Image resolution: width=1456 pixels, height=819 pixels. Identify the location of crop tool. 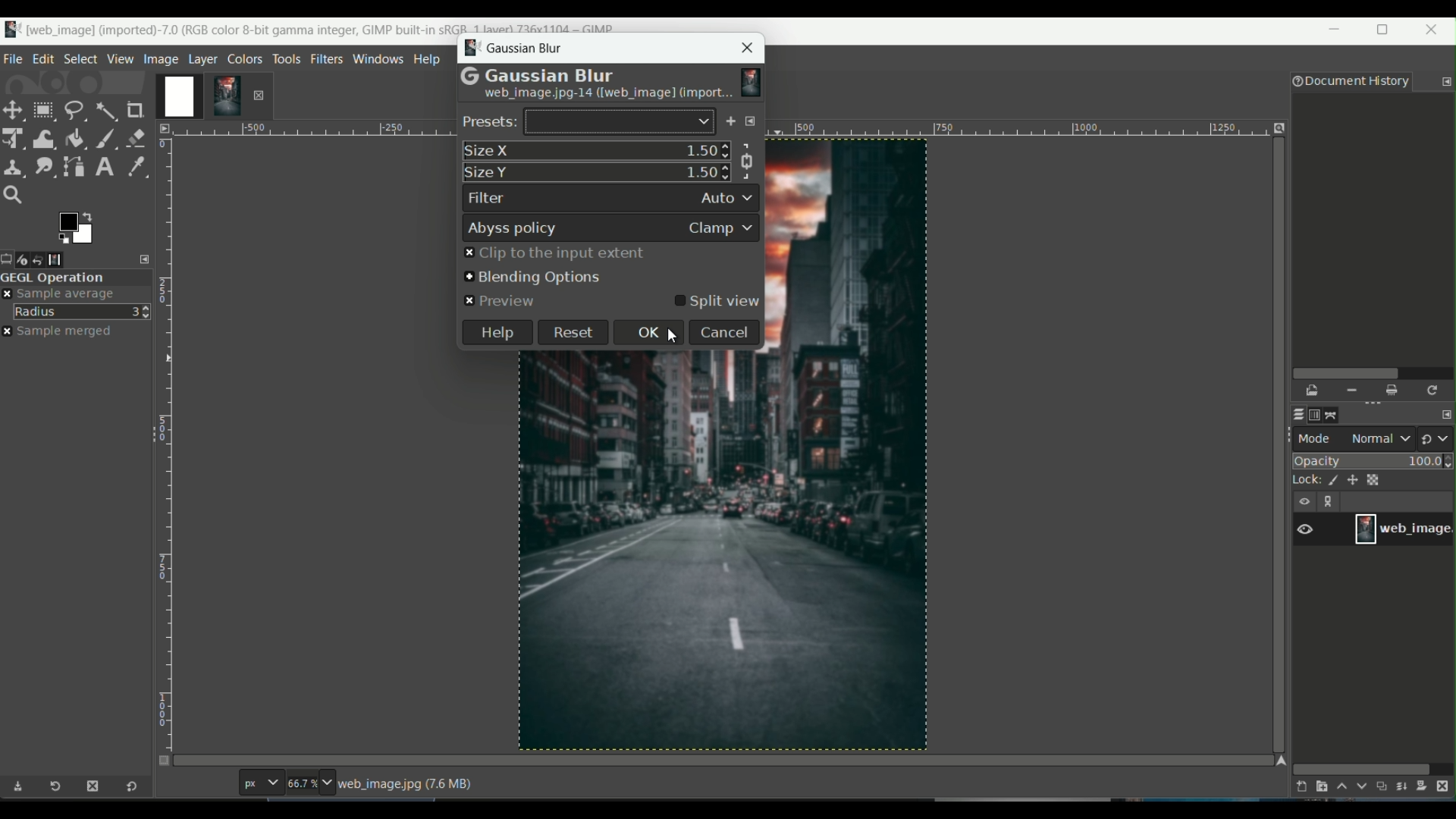
(137, 110).